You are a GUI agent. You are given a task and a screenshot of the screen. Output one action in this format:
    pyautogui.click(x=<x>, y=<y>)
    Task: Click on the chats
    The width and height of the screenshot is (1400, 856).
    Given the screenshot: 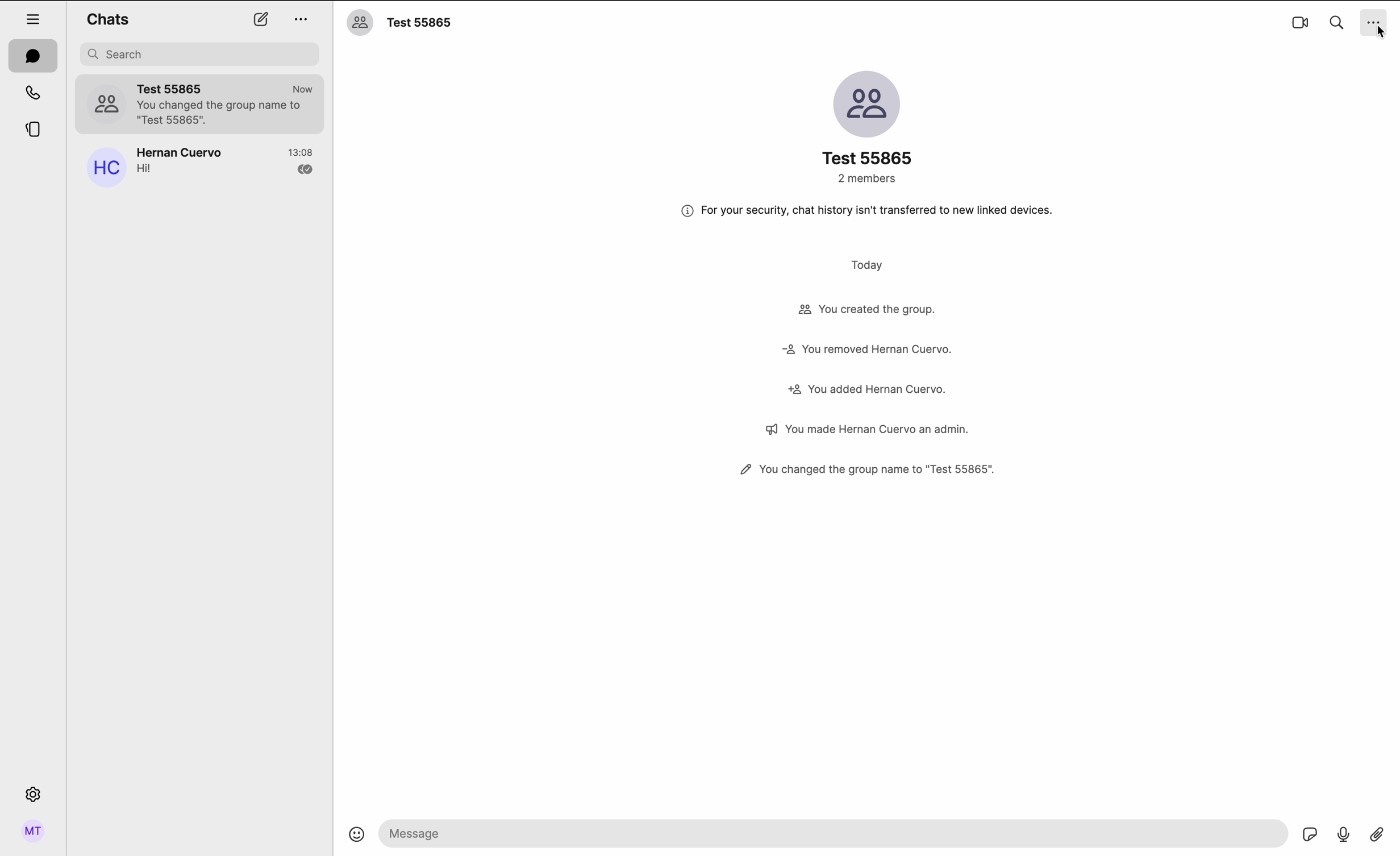 What is the action you would take?
    pyautogui.click(x=107, y=18)
    